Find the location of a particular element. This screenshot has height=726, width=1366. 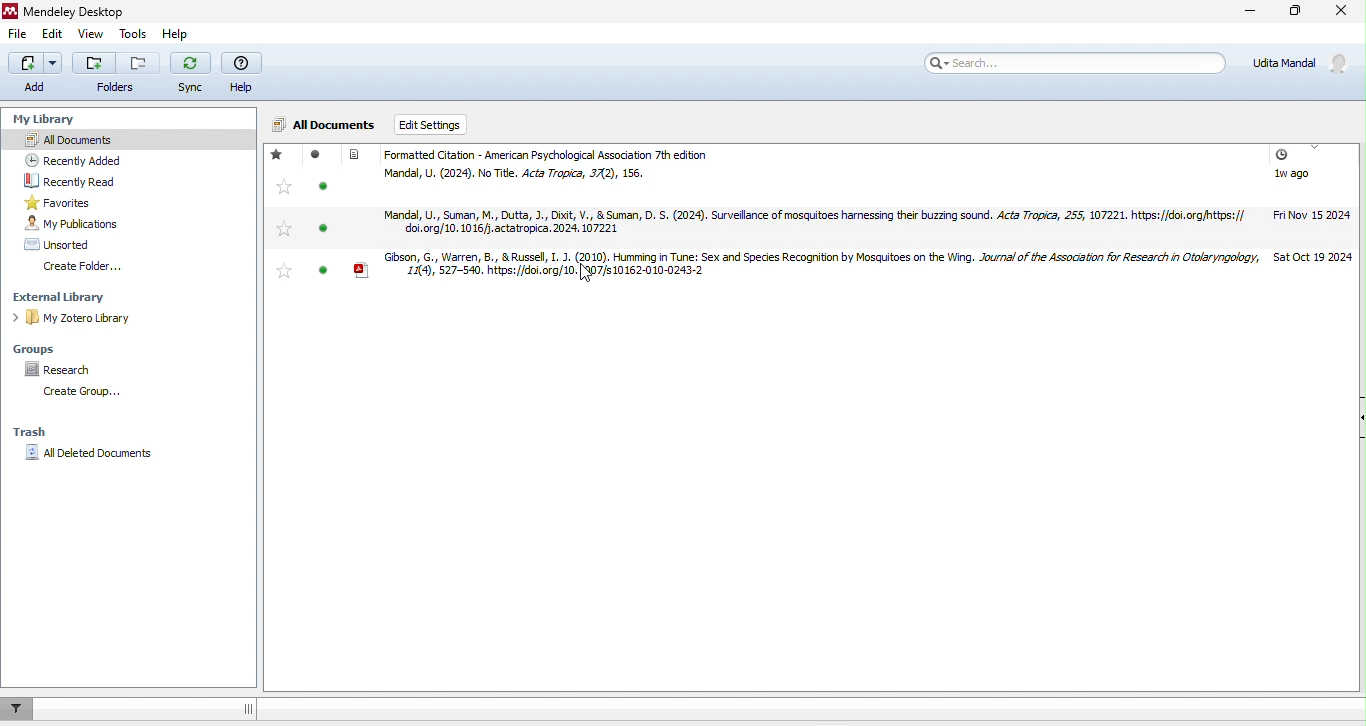

minimize is located at coordinates (1249, 13).